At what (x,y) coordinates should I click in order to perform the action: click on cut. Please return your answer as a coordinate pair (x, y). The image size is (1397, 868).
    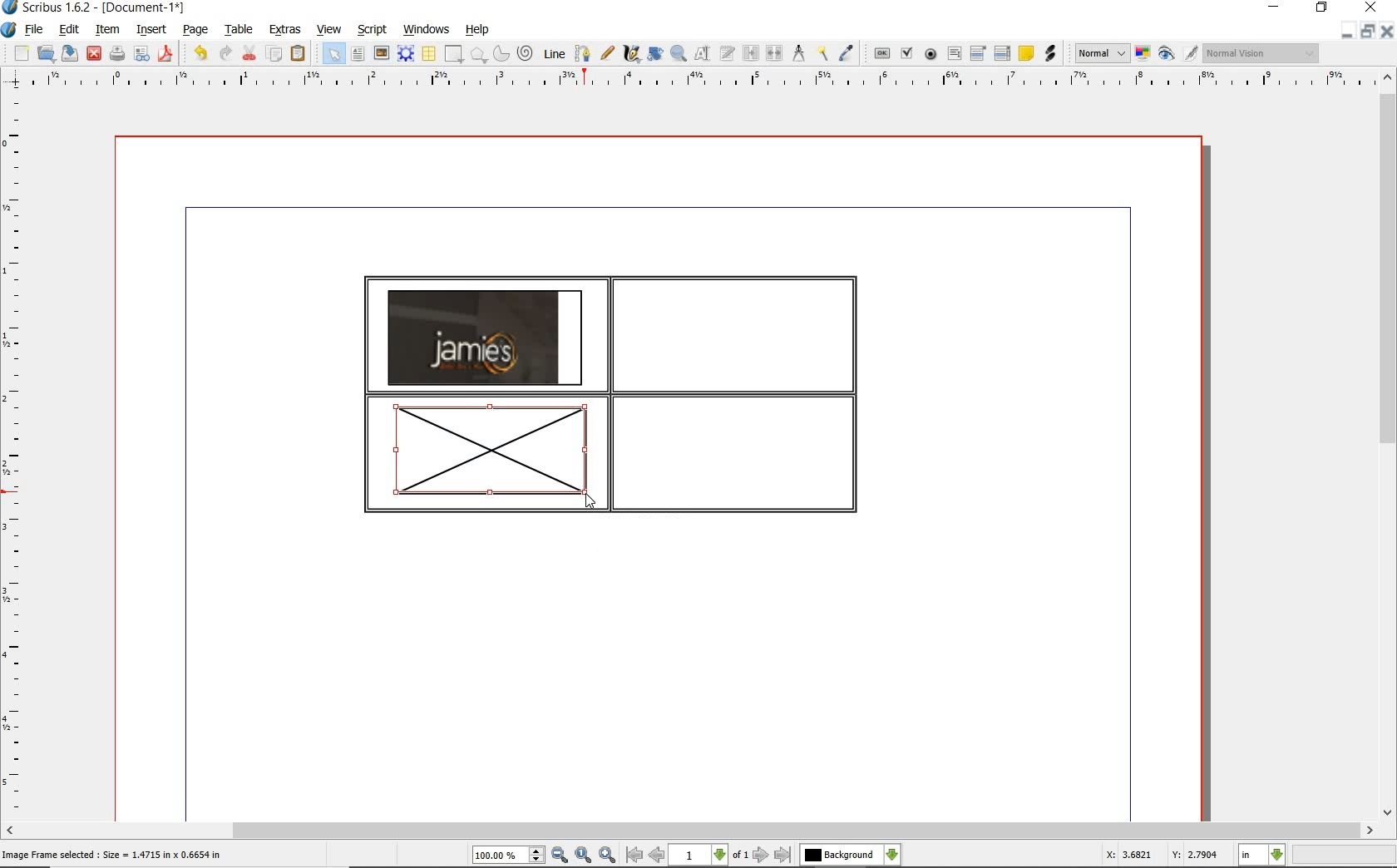
    Looking at the image, I should click on (251, 52).